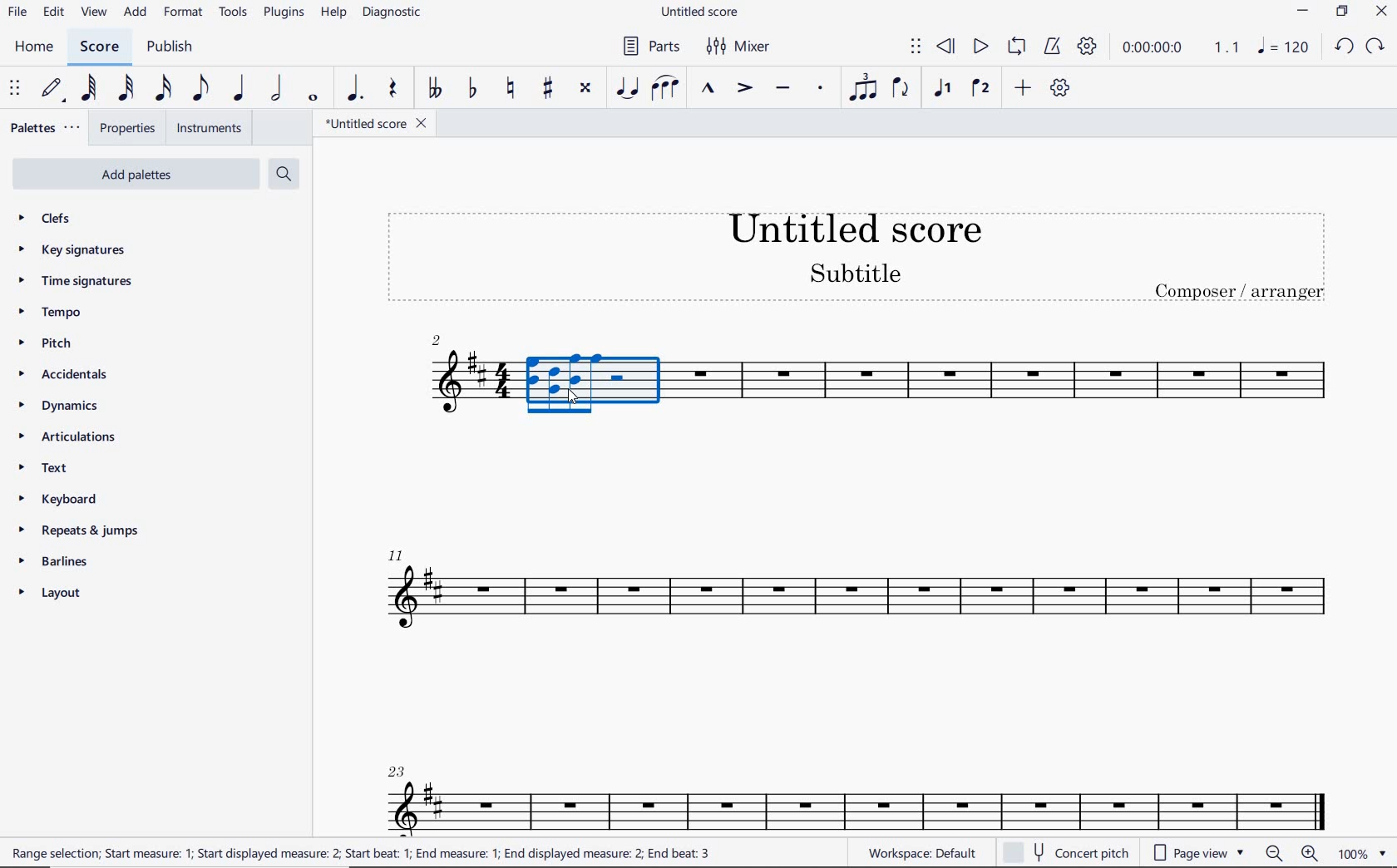 The height and width of the screenshot is (868, 1397). What do you see at coordinates (703, 12) in the screenshot?
I see `FILE NAME` at bounding box center [703, 12].